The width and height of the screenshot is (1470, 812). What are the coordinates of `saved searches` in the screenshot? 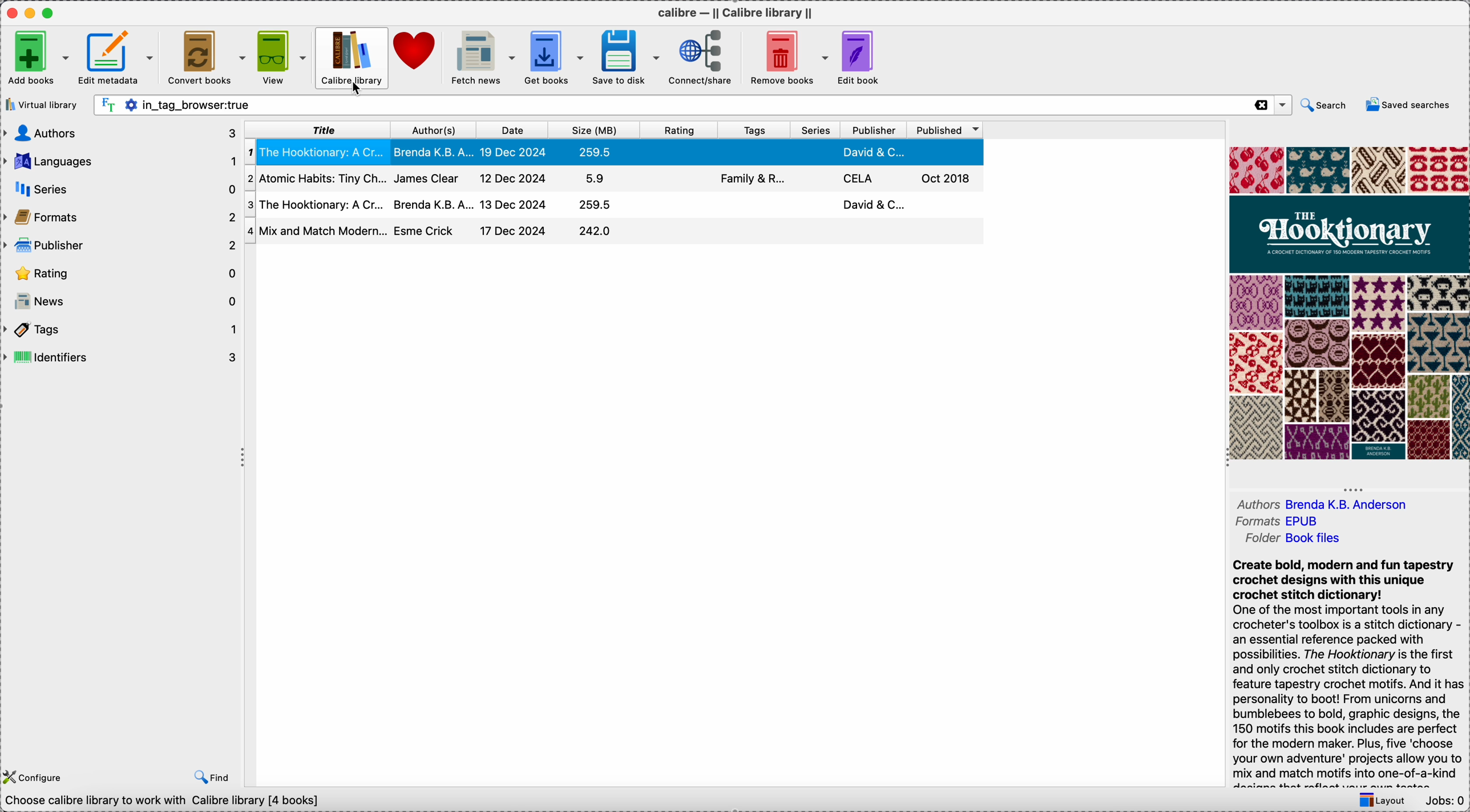 It's located at (1408, 106).